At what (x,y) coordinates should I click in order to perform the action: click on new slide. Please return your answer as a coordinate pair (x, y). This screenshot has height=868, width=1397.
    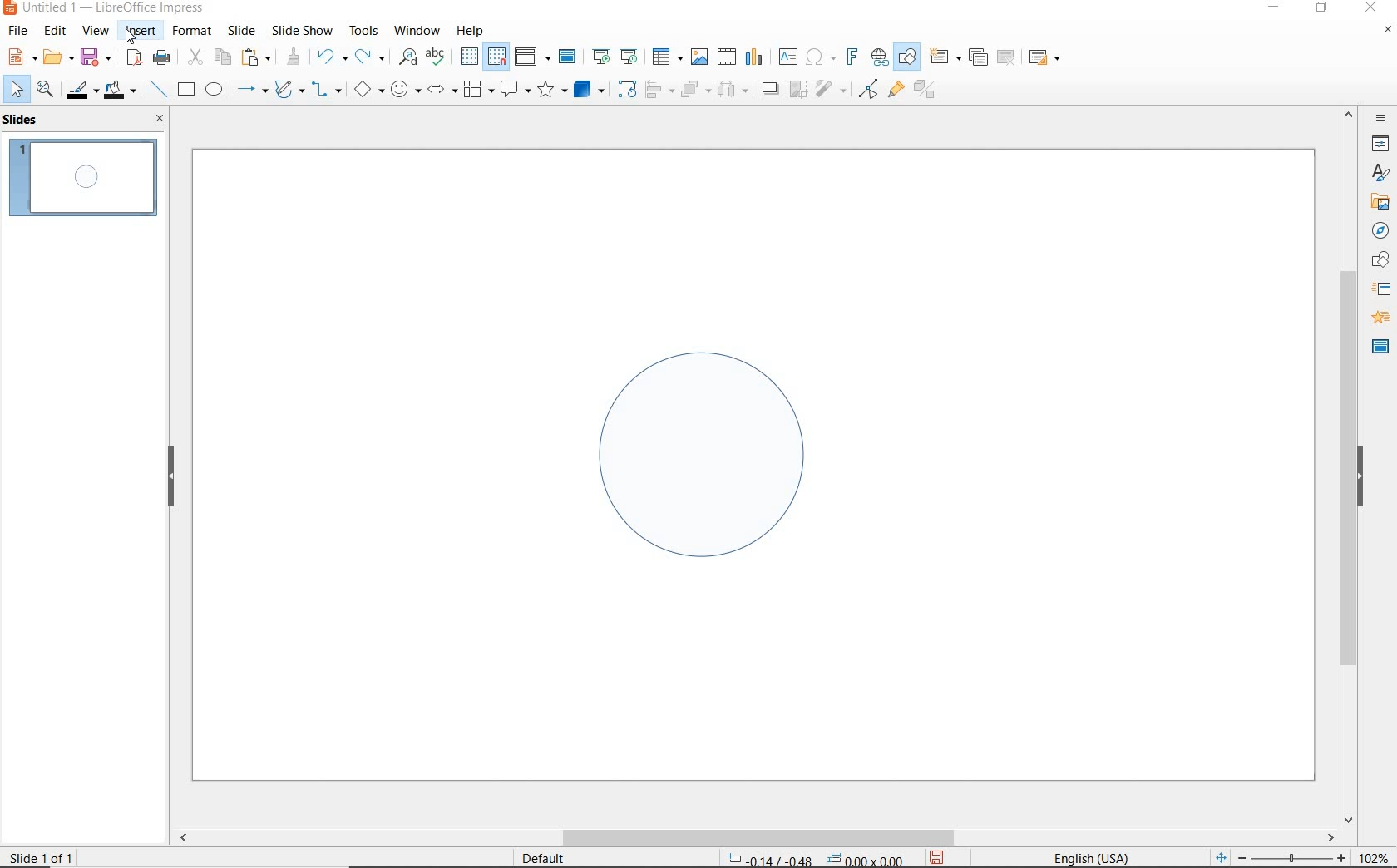
    Looking at the image, I should click on (945, 57).